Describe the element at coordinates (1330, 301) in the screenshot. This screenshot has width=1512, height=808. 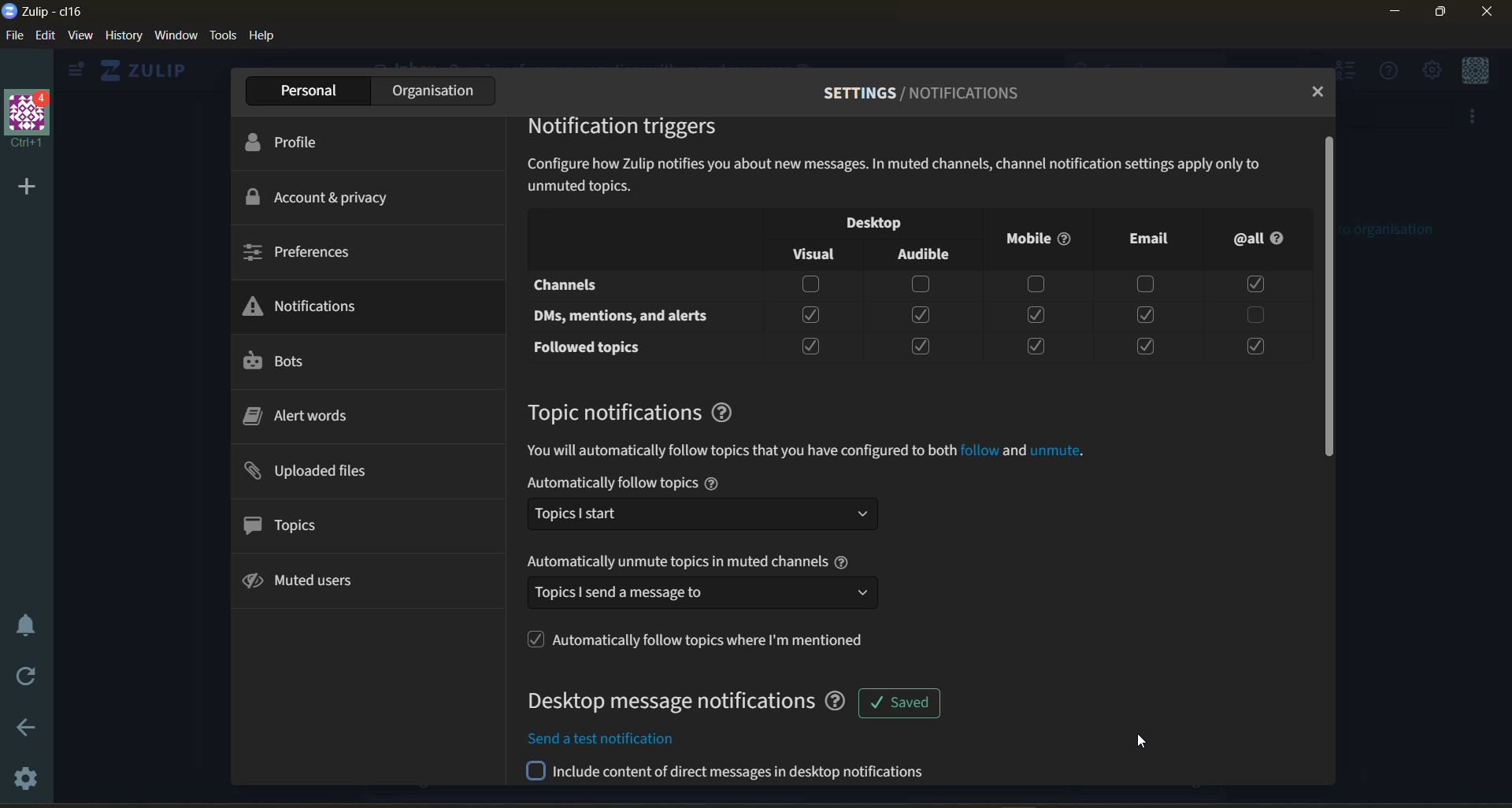
I see `scroll bar` at that location.